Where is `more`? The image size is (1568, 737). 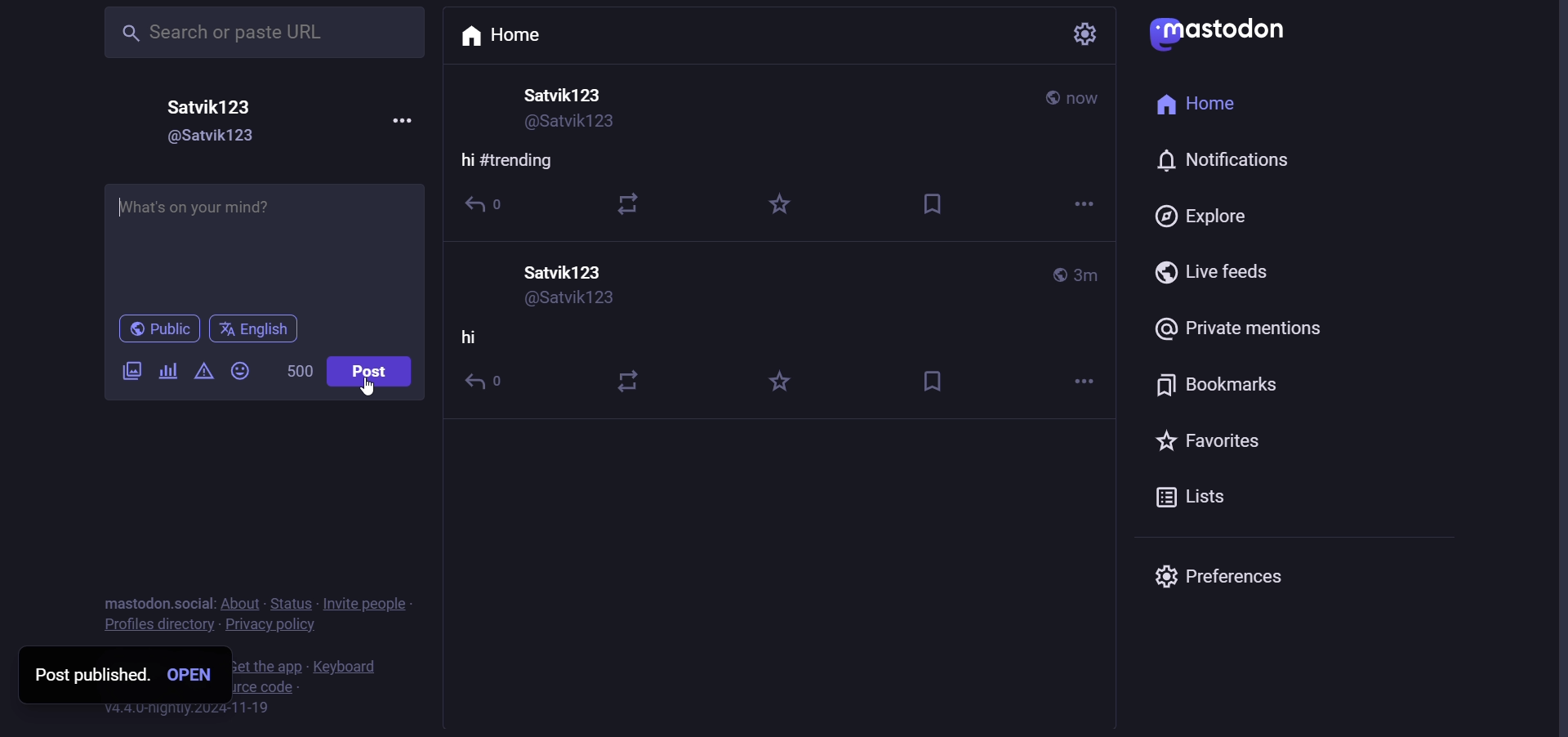 more is located at coordinates (1093, 374).